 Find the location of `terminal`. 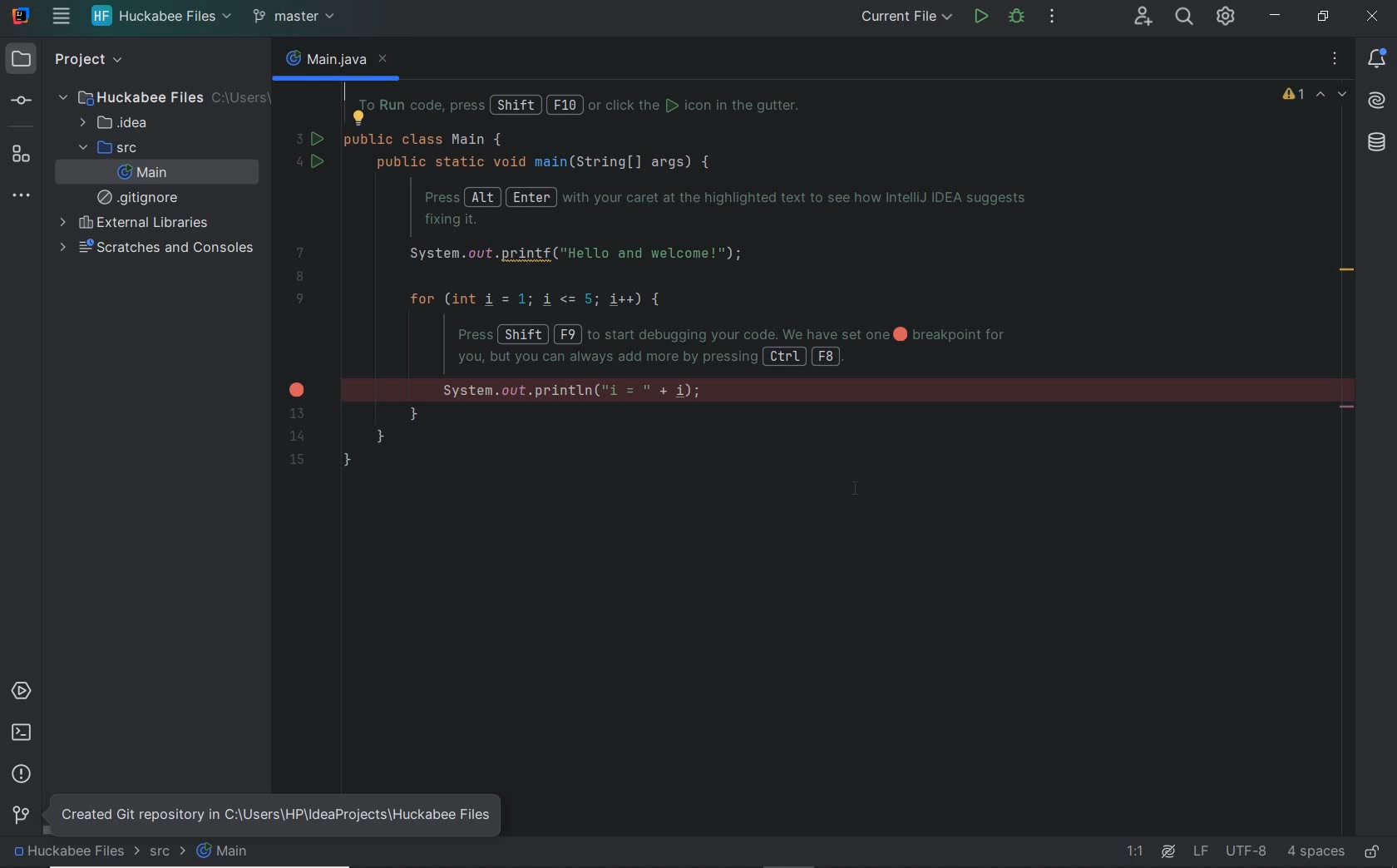

terminal is located at coordinates (22, 732).